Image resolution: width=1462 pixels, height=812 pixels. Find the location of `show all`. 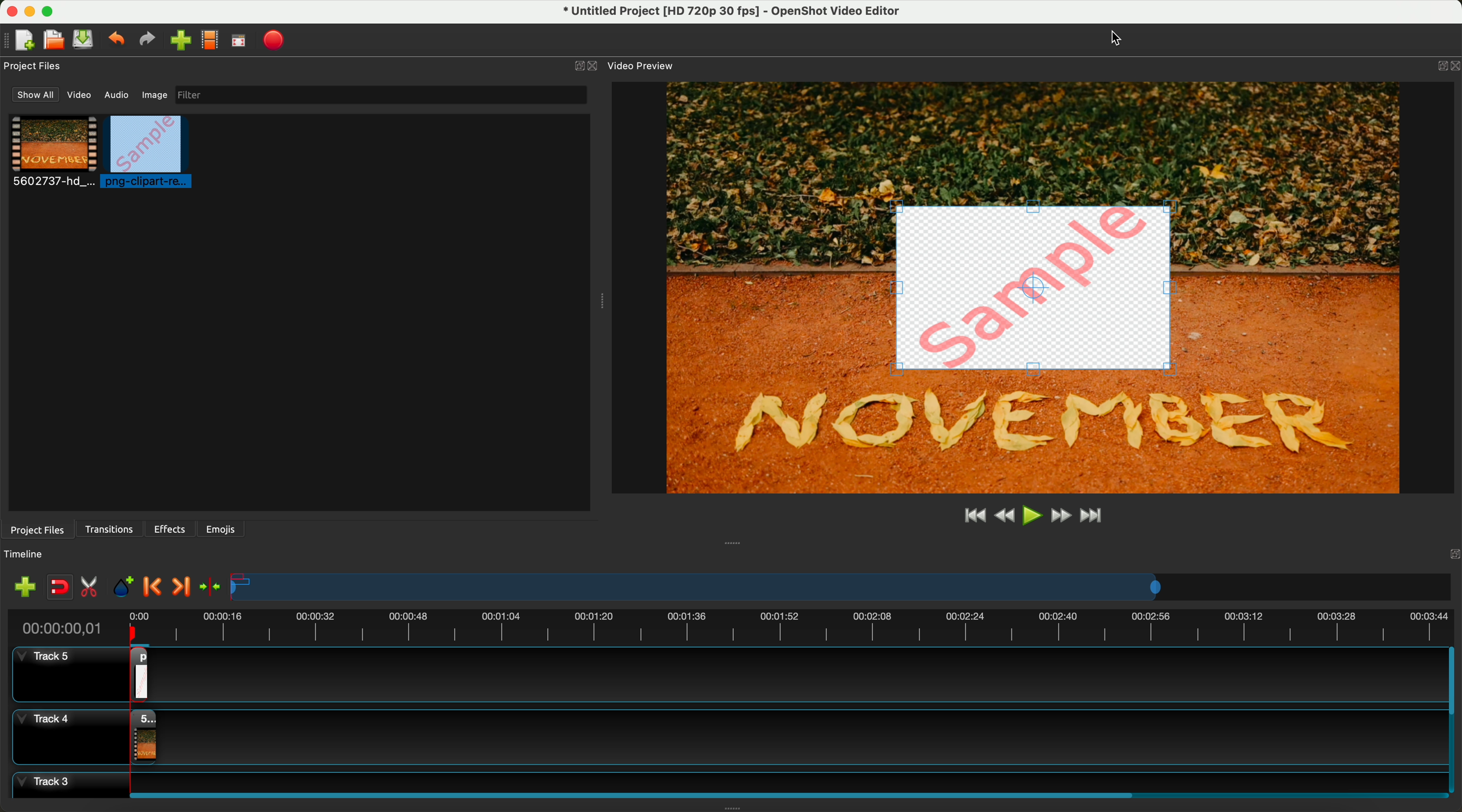

show all is located at coordinates (36, 95).